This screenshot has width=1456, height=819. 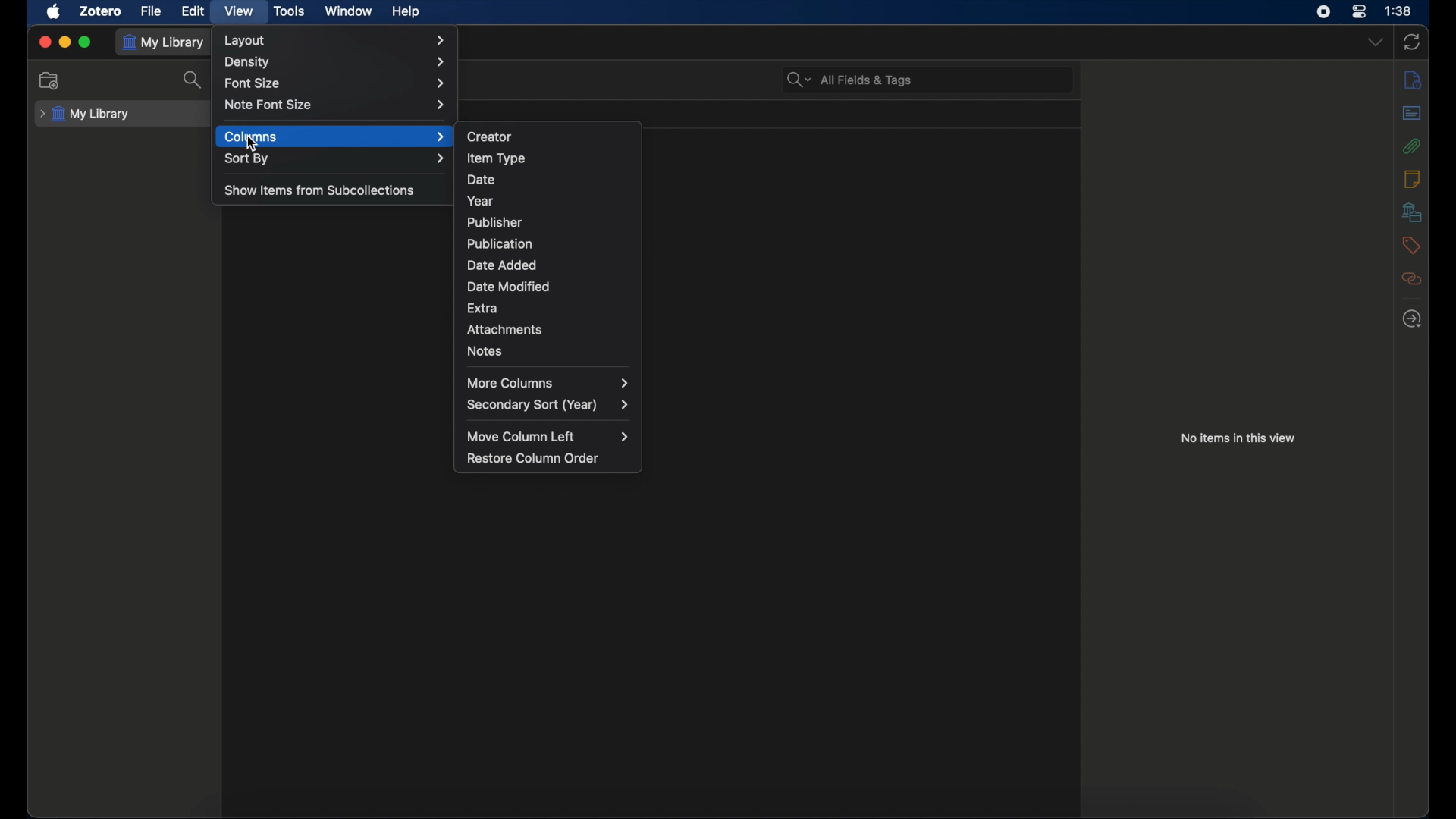 I want to click on library, so click(x=1412, y=212).